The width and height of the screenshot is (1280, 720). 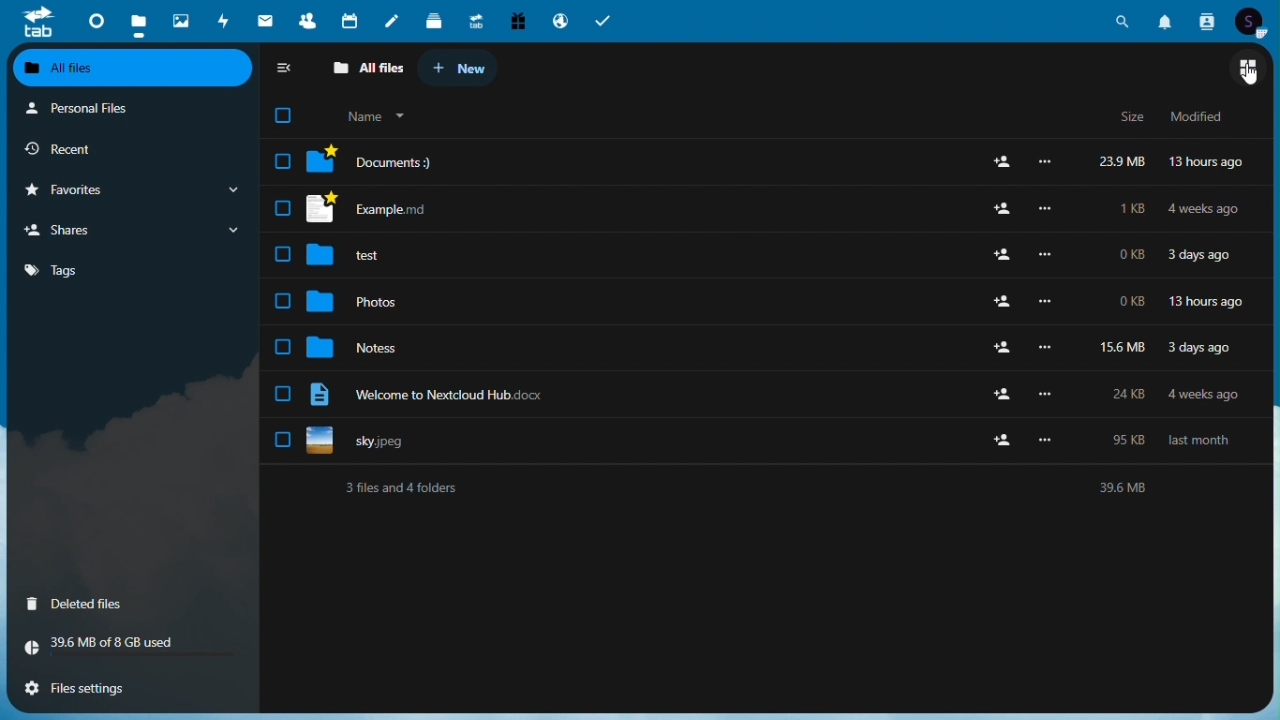 What do you see at coordinates (1000, 395) in the screenshot?
I see `add user` at bounding box center [1000, 395].